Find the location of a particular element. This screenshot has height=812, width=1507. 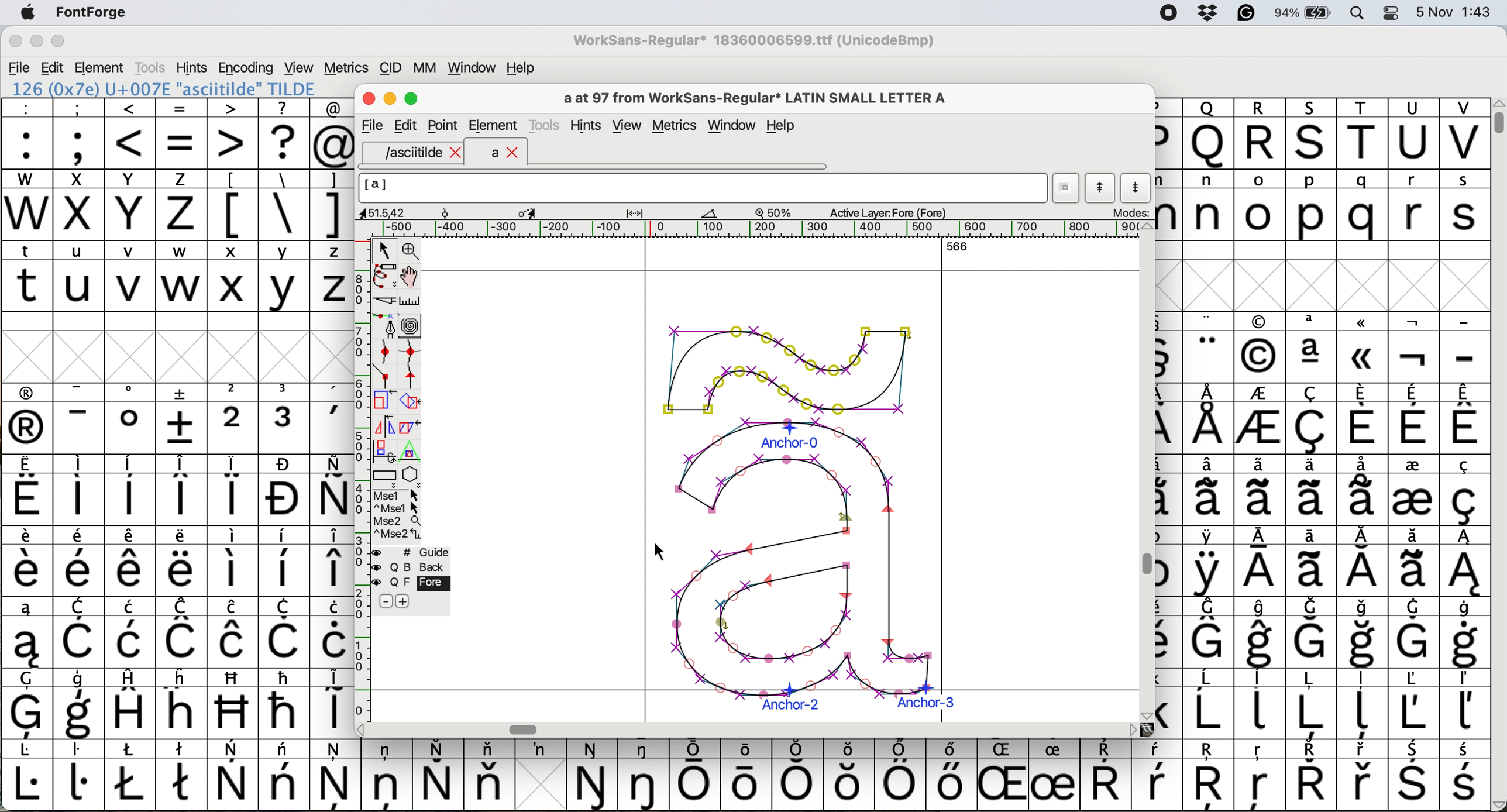

add a curve point is located at coordinates (386, 352).